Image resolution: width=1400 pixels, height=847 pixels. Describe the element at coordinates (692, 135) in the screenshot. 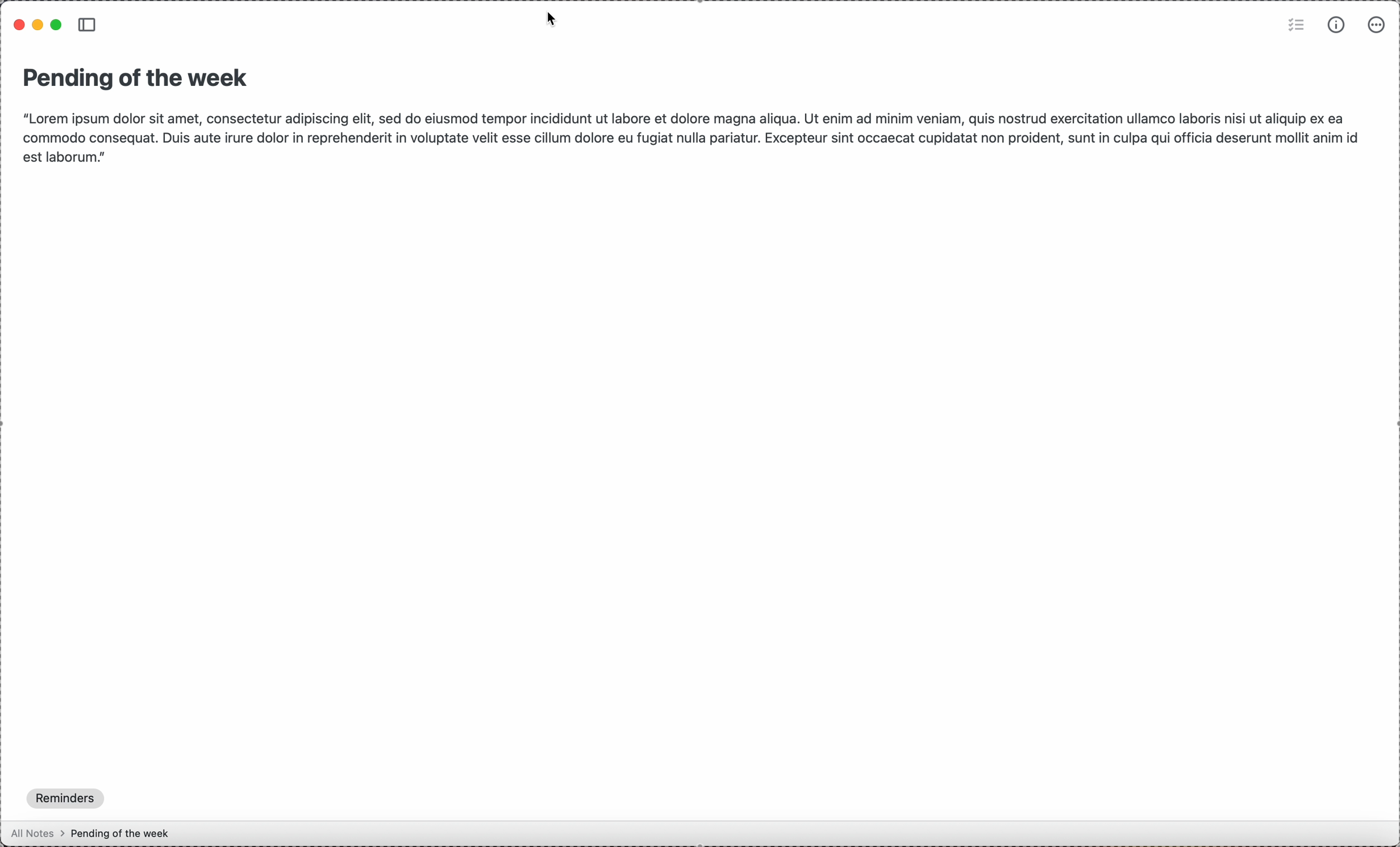

I see `“Lorem ipsum dolor sit amet, consectetur adipiscing elit, sed do eiusmod tempor incididunt ut labore et dolore magna aliqua. Ut enim ad minim veniam,
quis nostrud exercitation ullamco laboris nisi ut aliquip ex ea commodo consequat. Duis aute irure dolor in reprehenderit in voluptate velit esse cillum
dolore eu fugiat nulla pariatur. Excepteur sint occaecat cupidatat non proident, sunt in culpa qui officia deserunt mollit anim id est laborum.”` at that location.